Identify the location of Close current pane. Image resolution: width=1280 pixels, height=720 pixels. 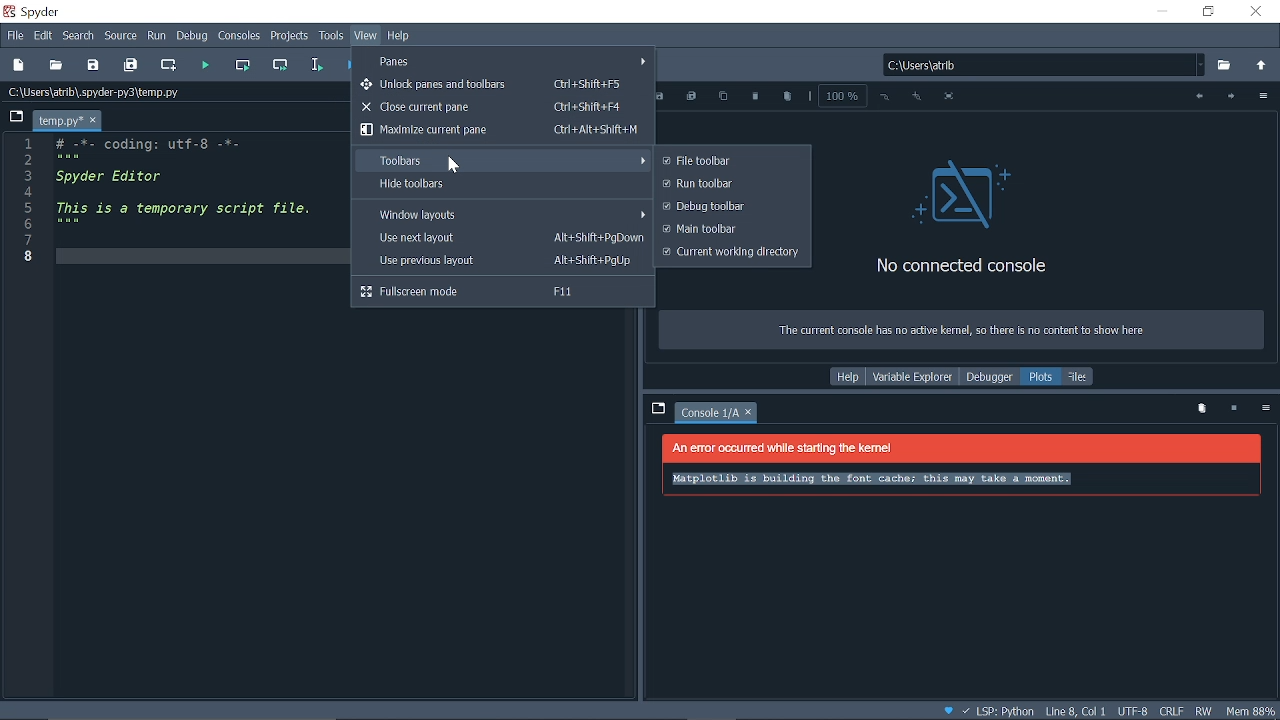
(501, 107).